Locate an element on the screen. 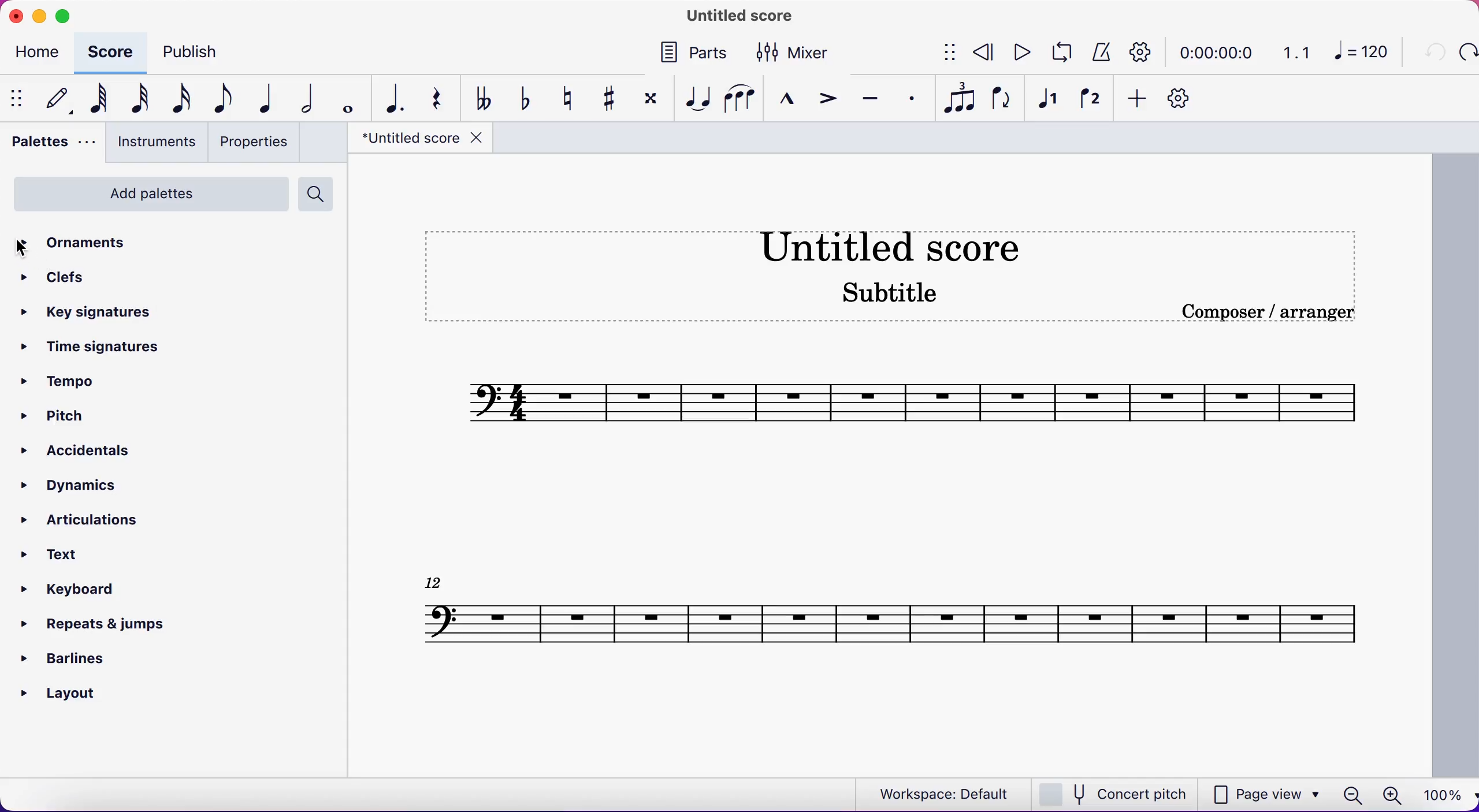  redo is located at coordinates (1467, 53).